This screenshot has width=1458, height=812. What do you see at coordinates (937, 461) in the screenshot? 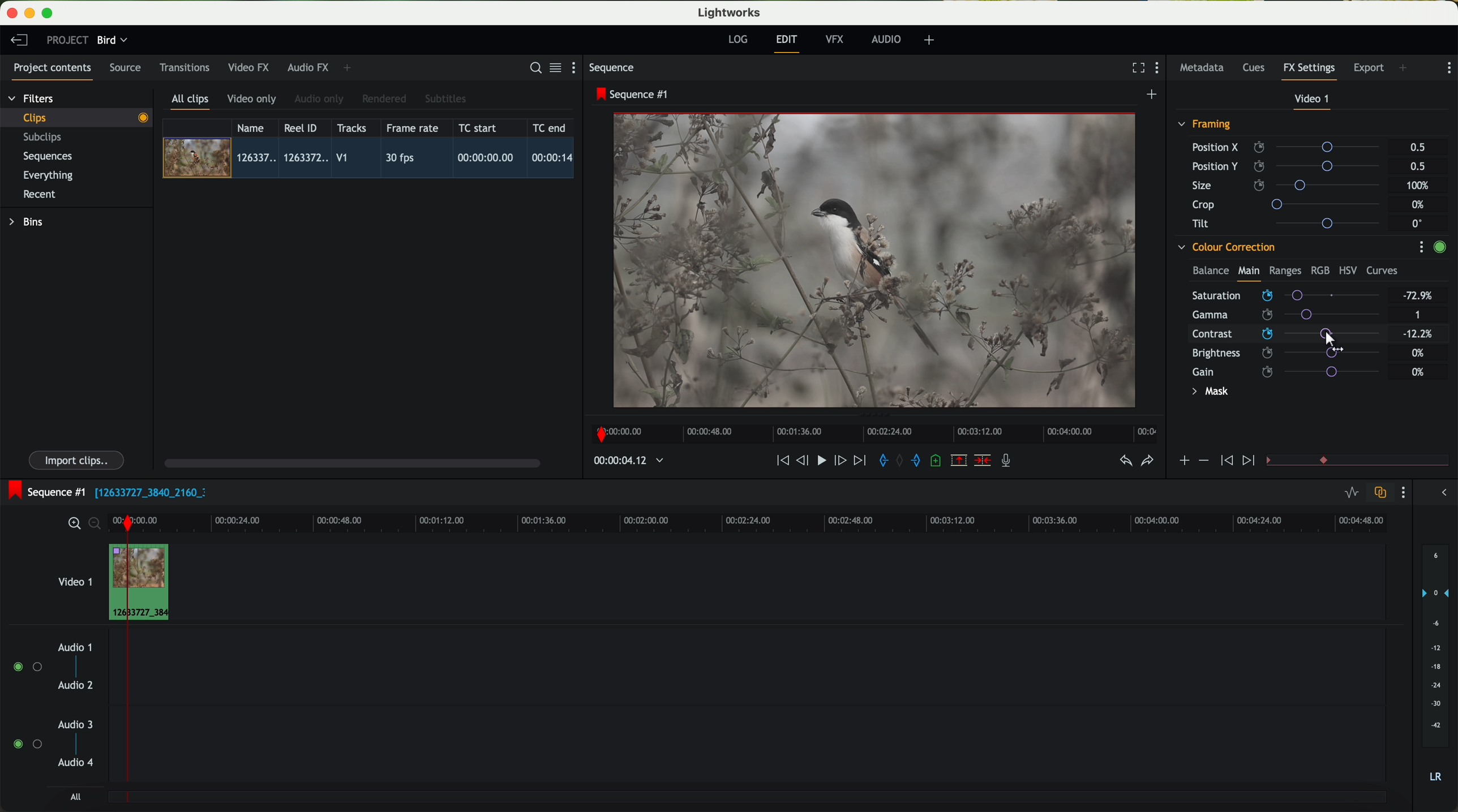
I see `add a cue at the current position` at bounding box center [937, 461].